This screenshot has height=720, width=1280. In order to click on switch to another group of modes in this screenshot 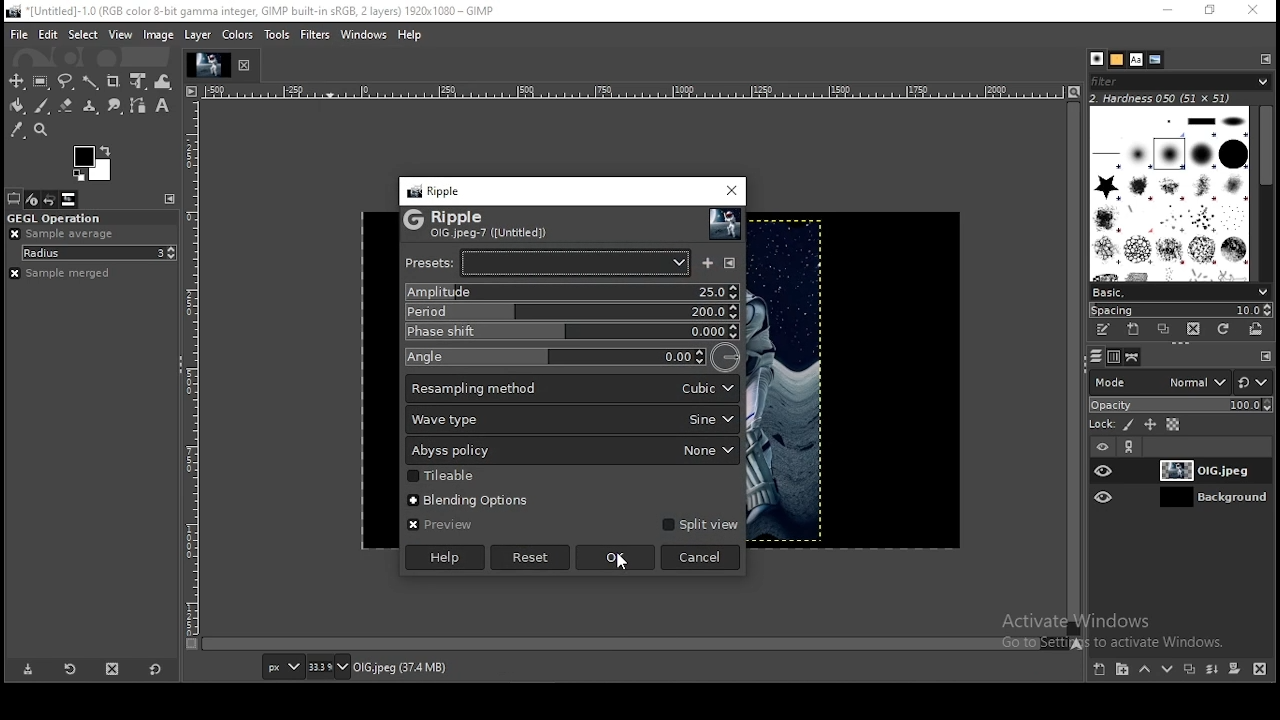, I will do `click(1253, 382)`.